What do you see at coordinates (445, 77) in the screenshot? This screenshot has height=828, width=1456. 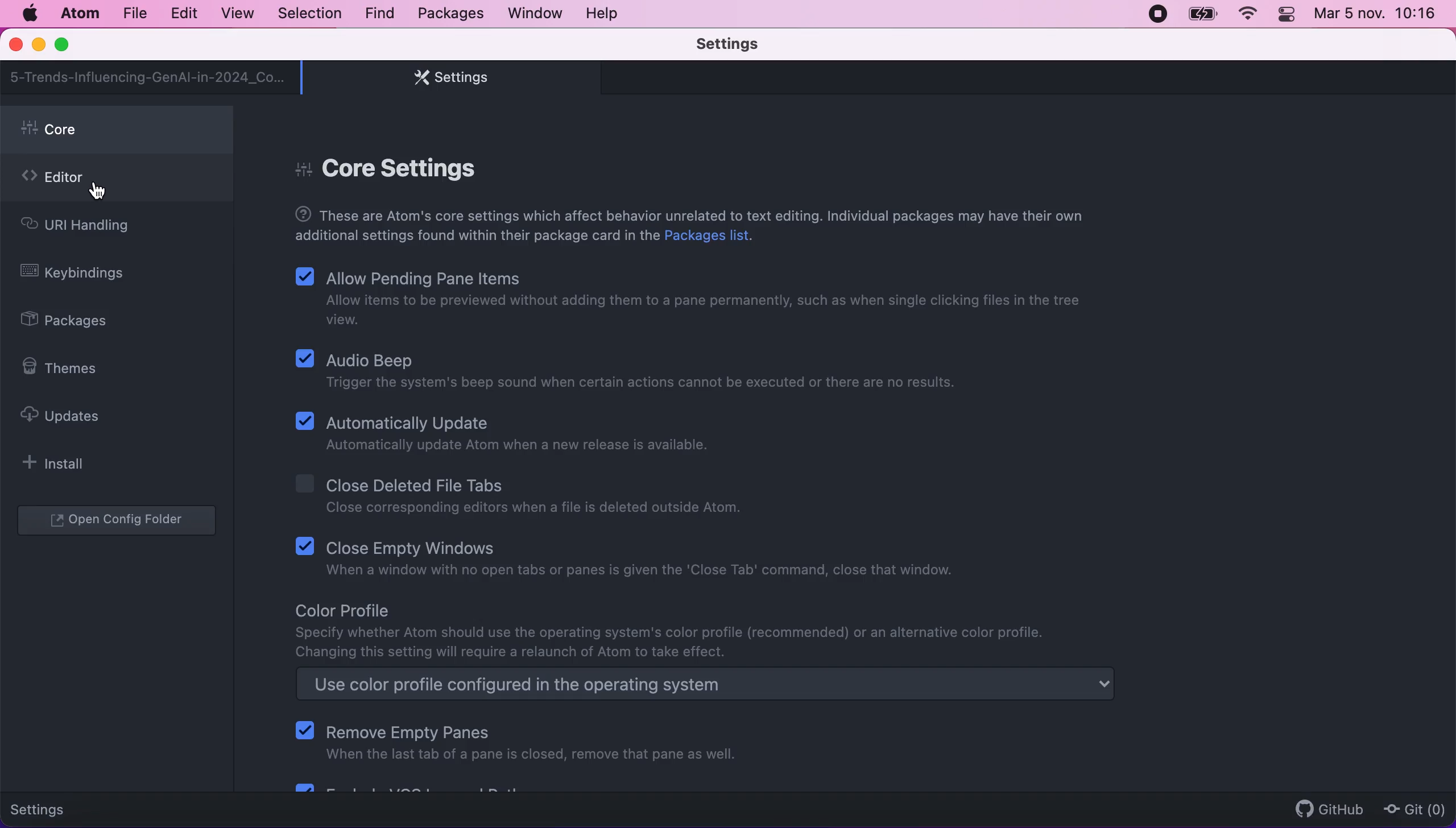 I see `settings tab` at bounding box center [445, 77].